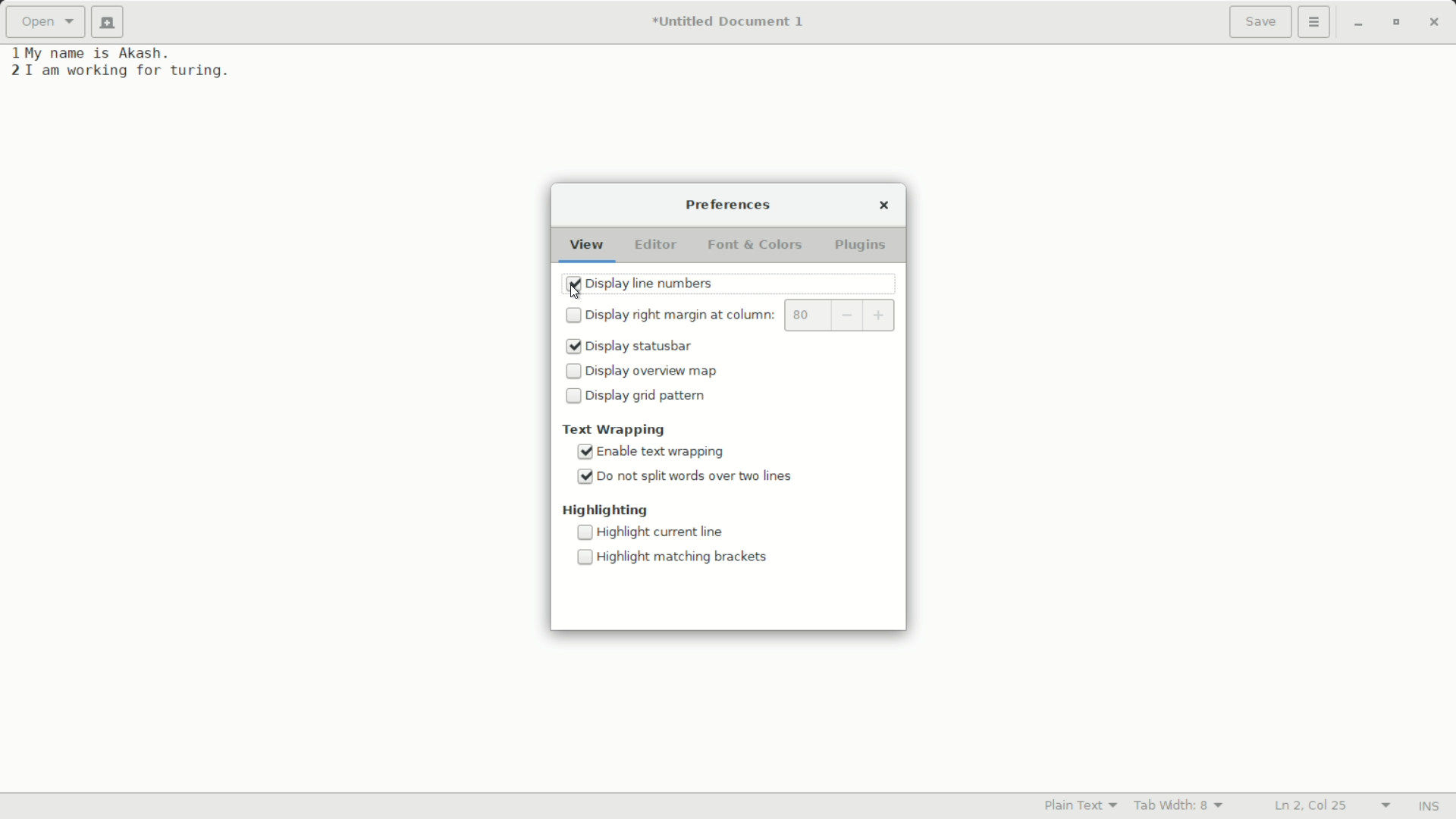 Image resolution: width=1456 pixels, height=819 pixels. I want to click on maximize or restore, so click(1396, 24).